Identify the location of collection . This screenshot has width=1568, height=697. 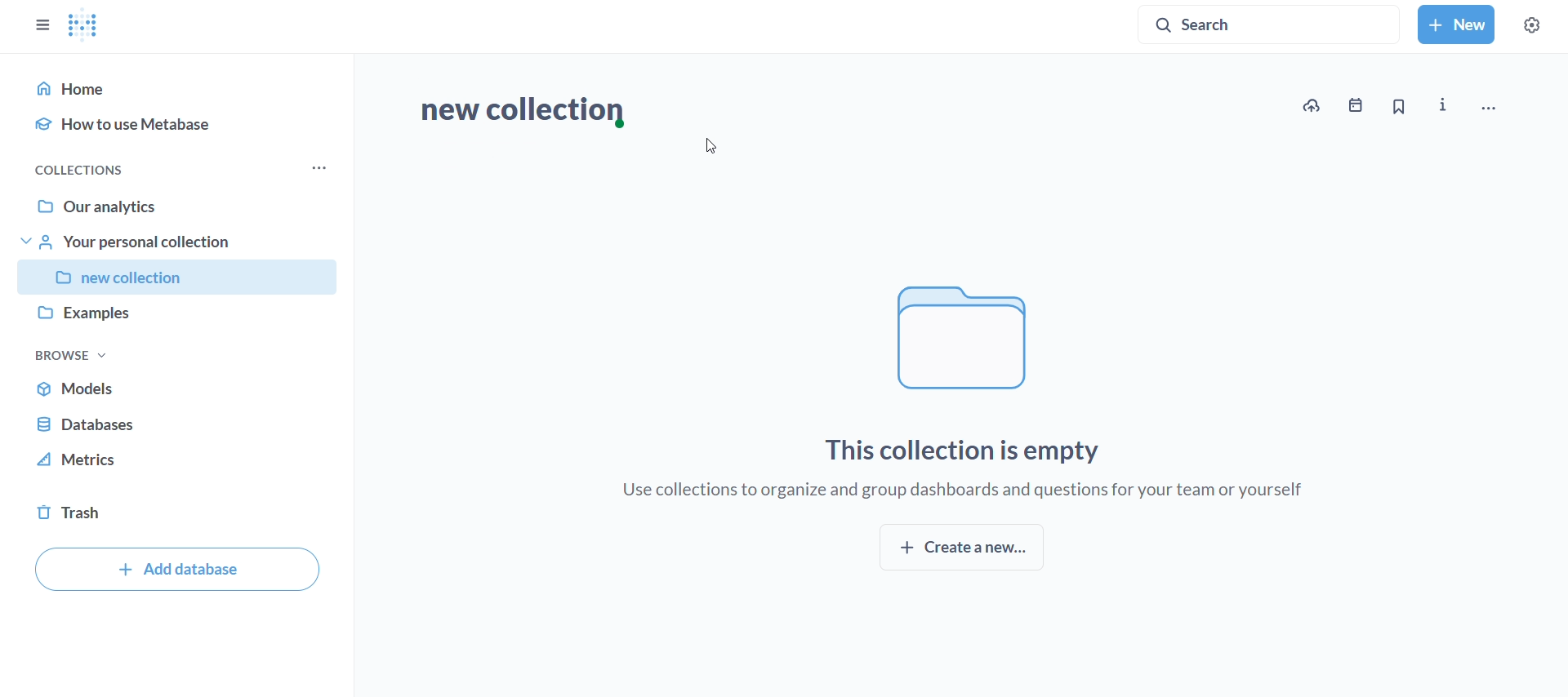
(179, 278).